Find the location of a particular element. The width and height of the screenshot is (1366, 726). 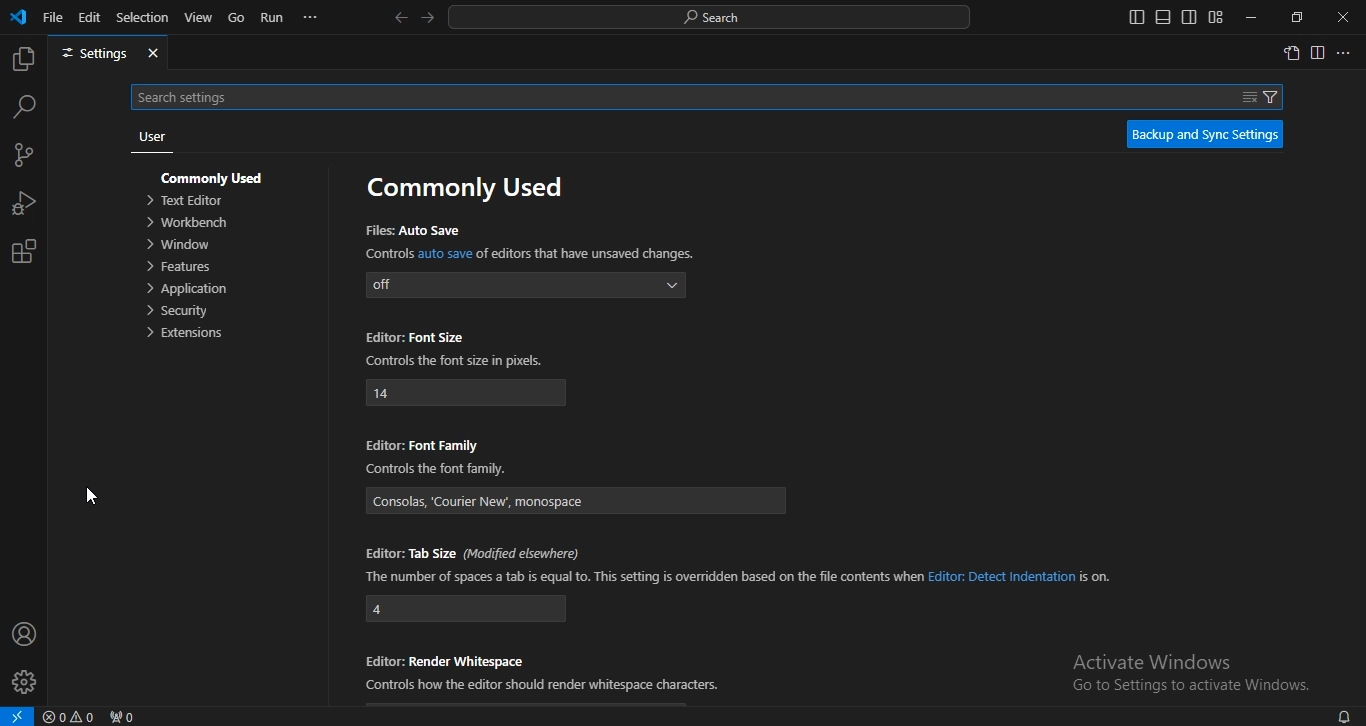

VSCode is located at coordinates (18, 17).